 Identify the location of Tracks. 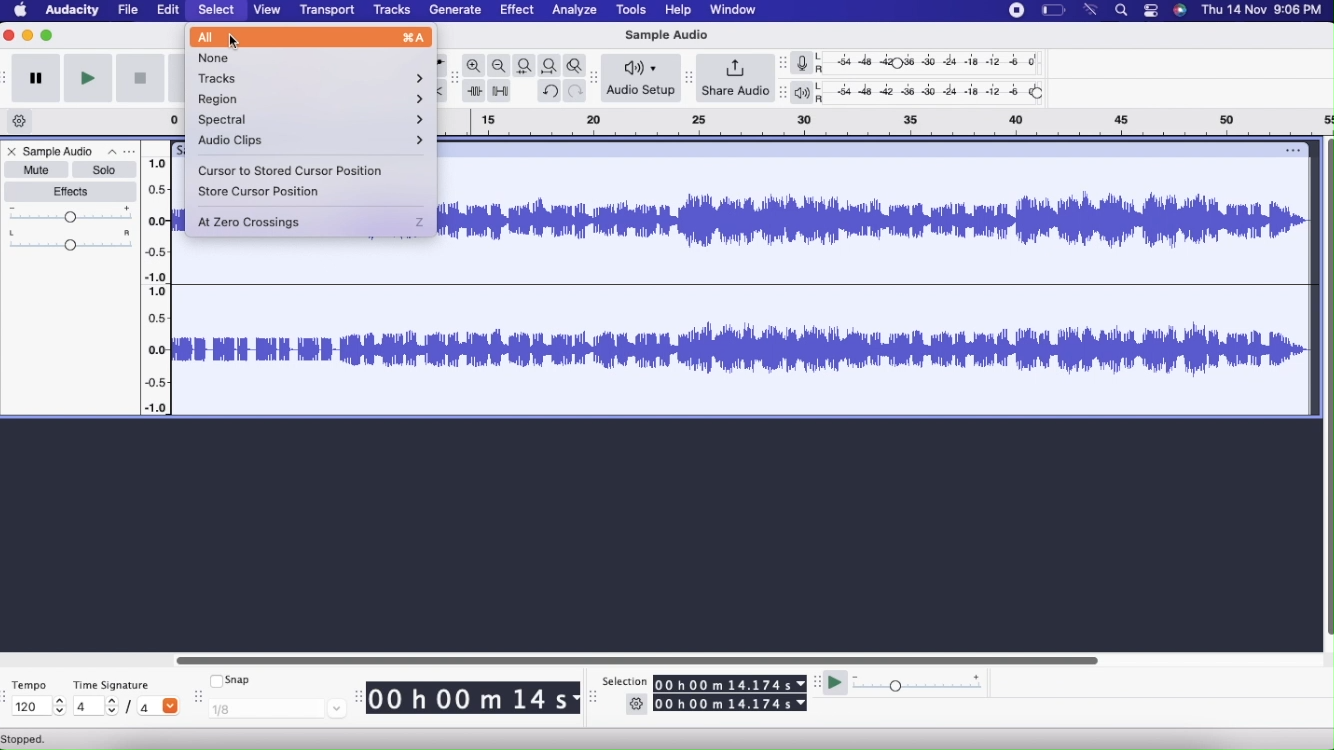
(391, 10).